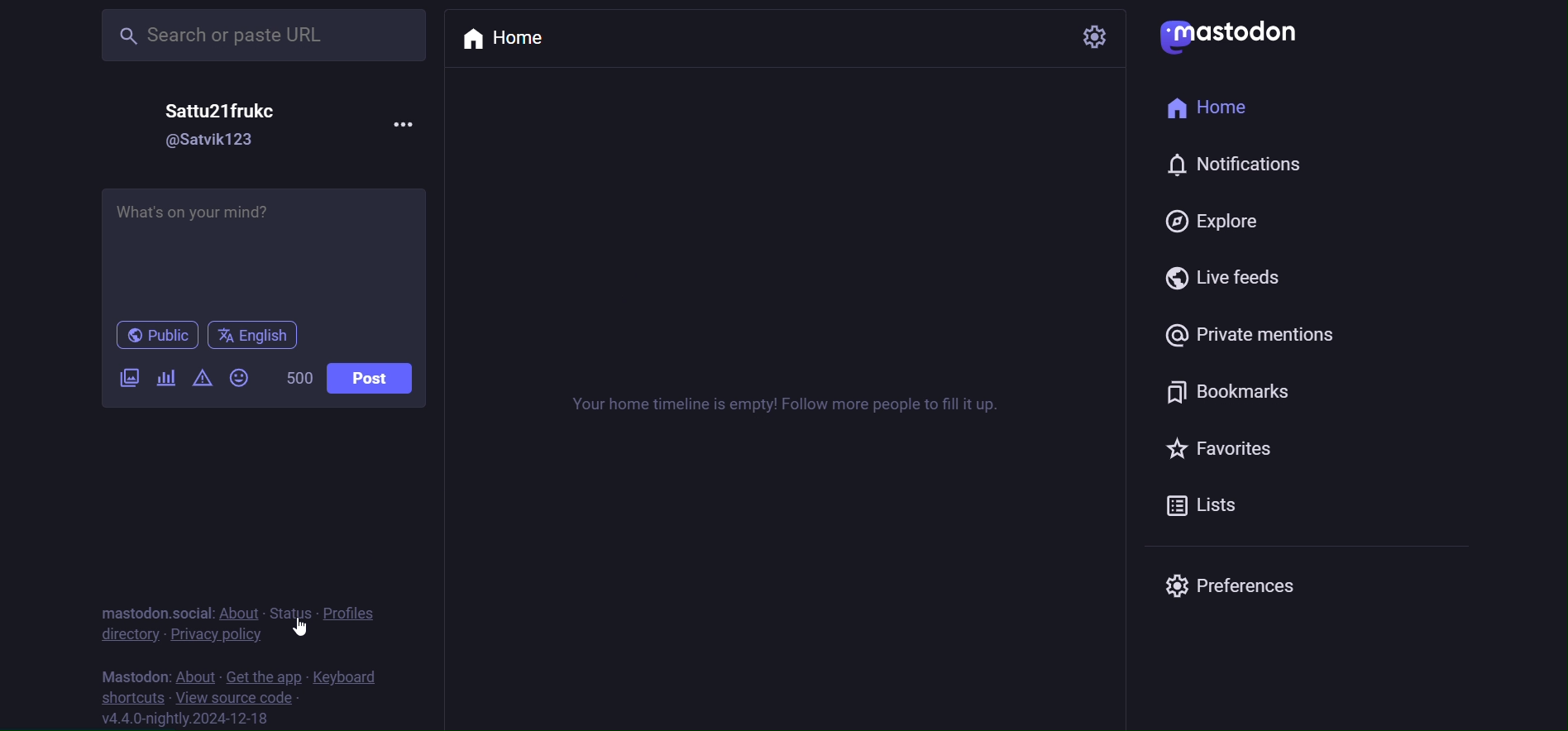 The width and height of the screenshot is (1568, 731). Describe the element at coordinates (195, 672) in the screenshot. I see `About` at that location.